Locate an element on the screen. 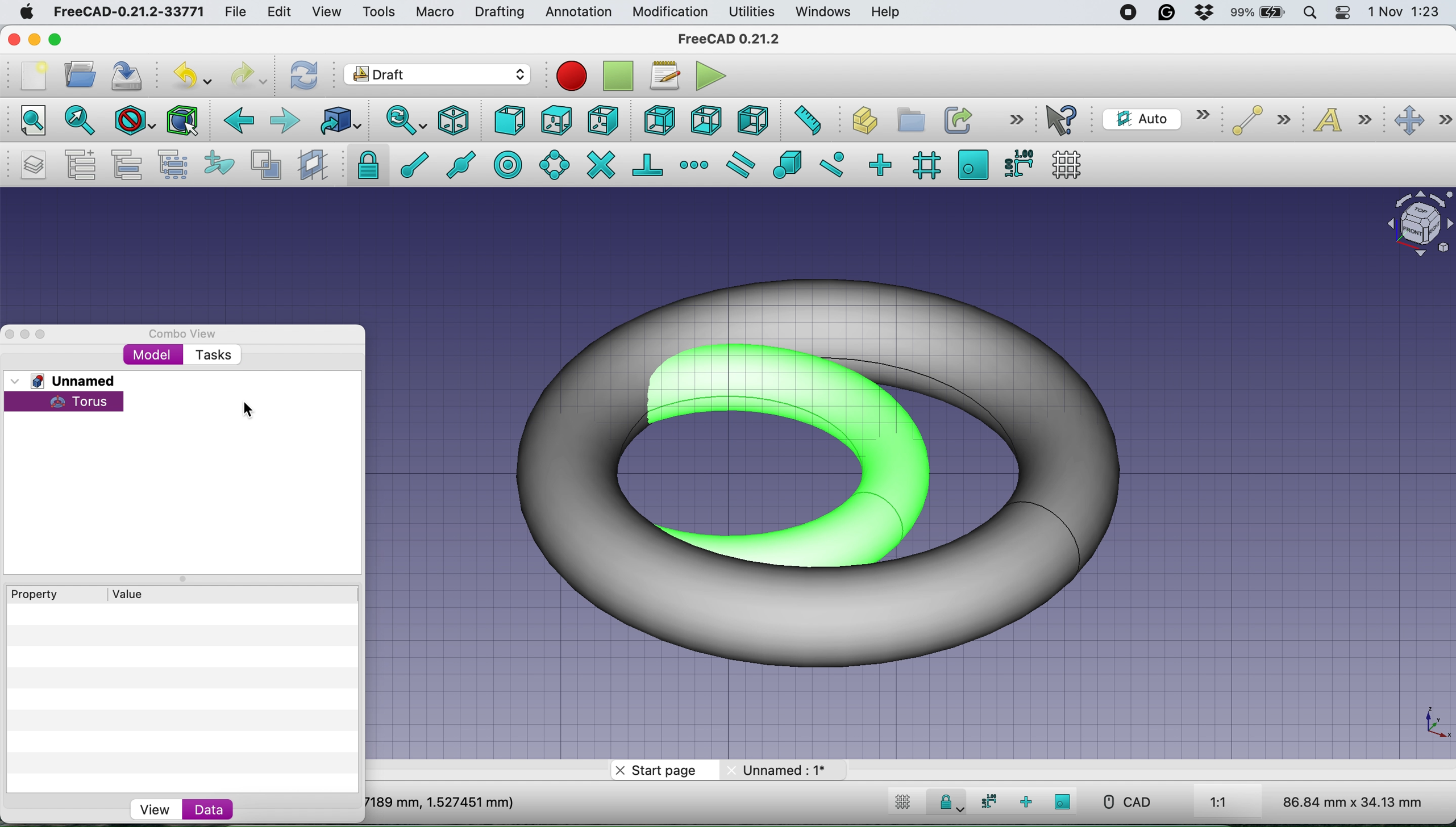 This screenshot has width=1456, height=827. snap lock is located at coordinates (363, 165).